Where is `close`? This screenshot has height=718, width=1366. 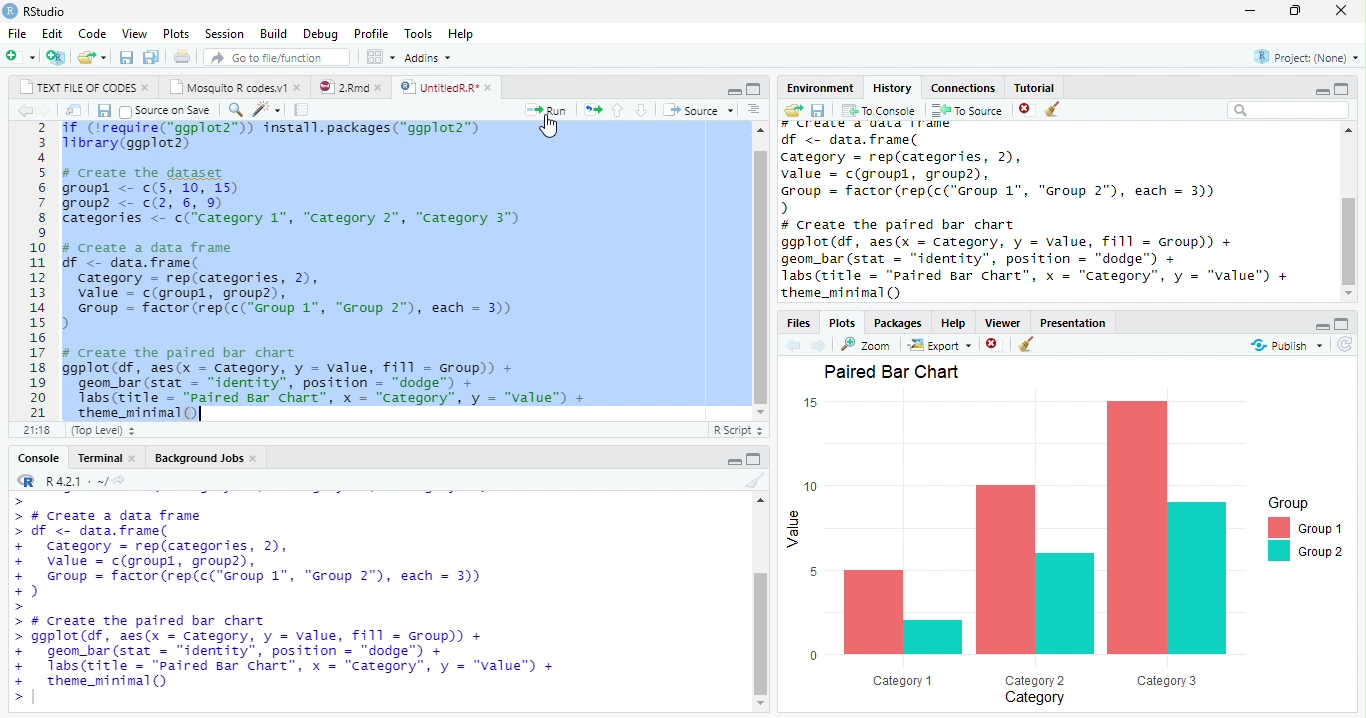
close is located at coordinates (146, 89).